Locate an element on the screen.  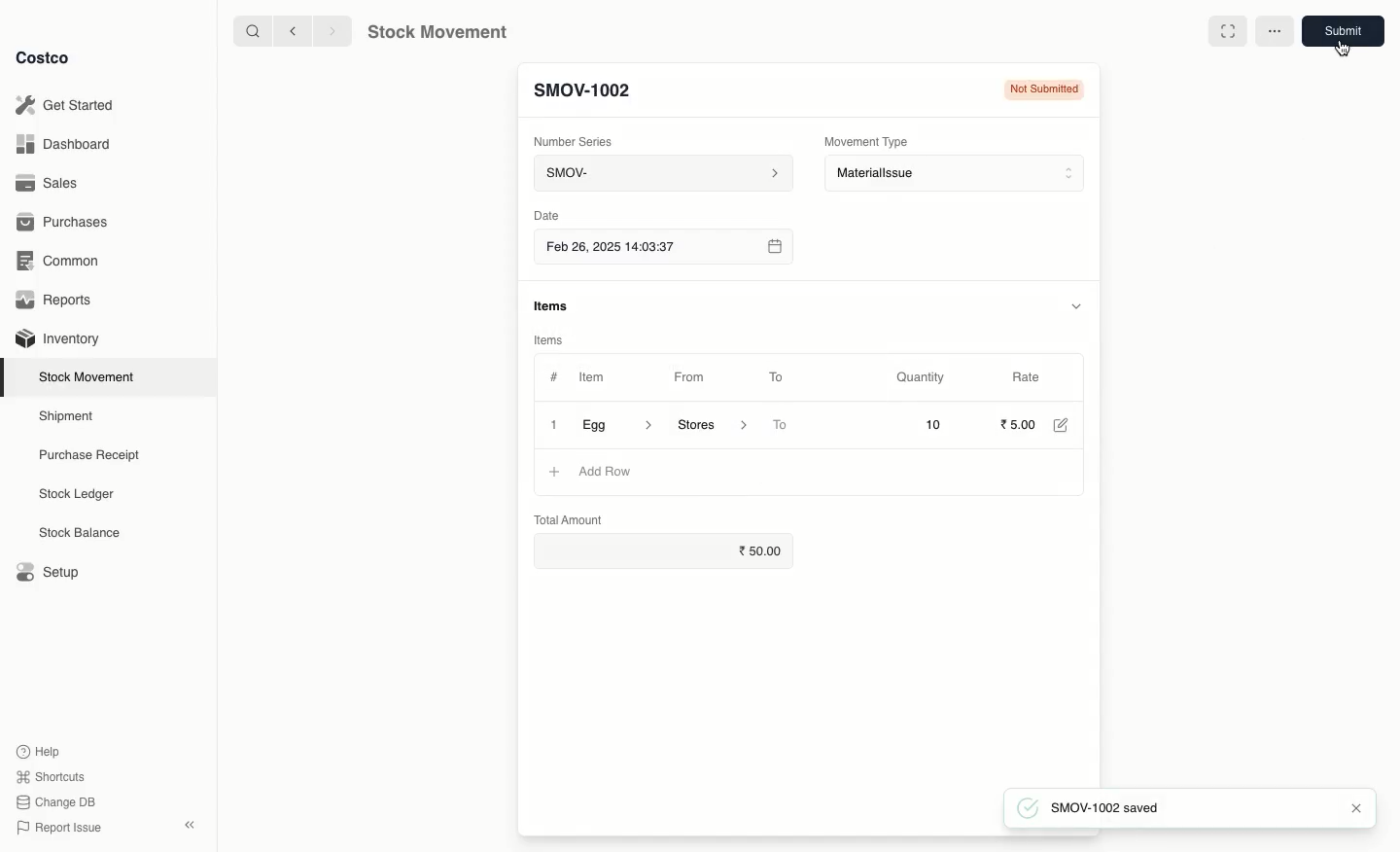
10 is located at coordinates (908, 424).